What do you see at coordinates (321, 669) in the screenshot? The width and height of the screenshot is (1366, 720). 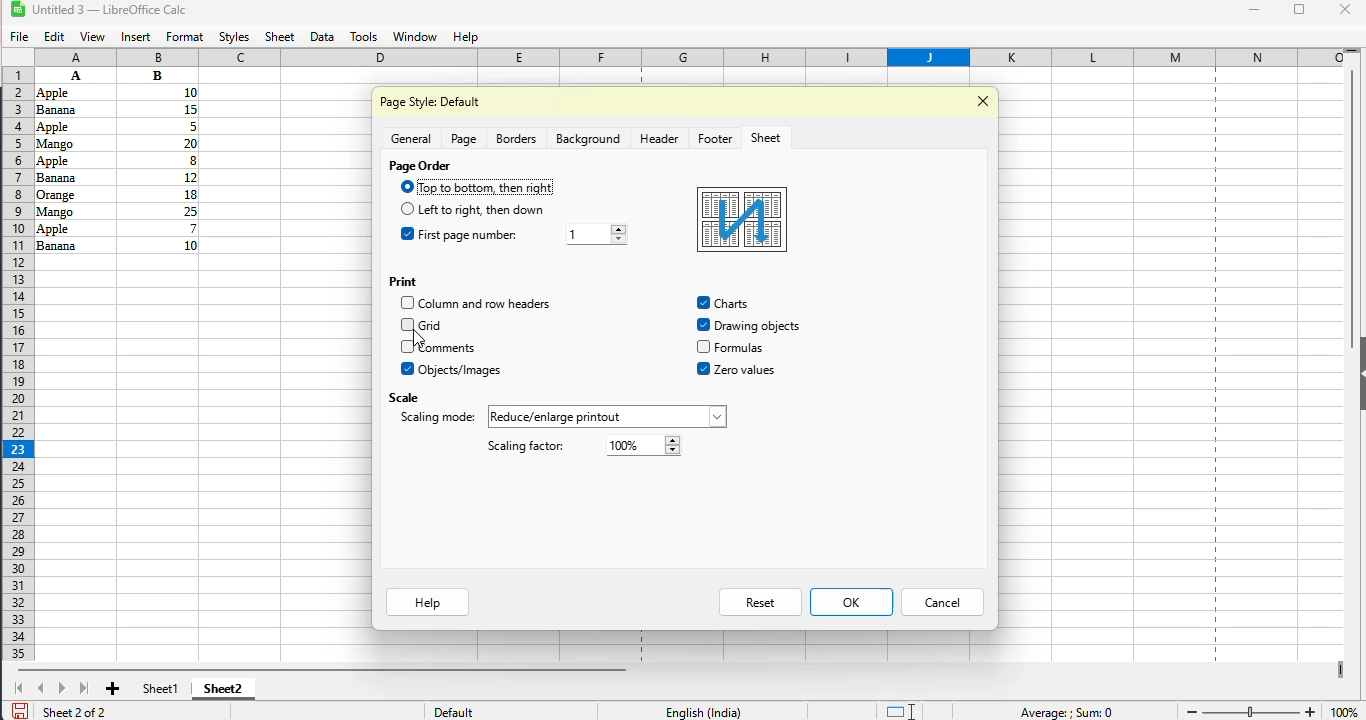 I see `horizontal scrollbar` at bounding box center [321, 669].